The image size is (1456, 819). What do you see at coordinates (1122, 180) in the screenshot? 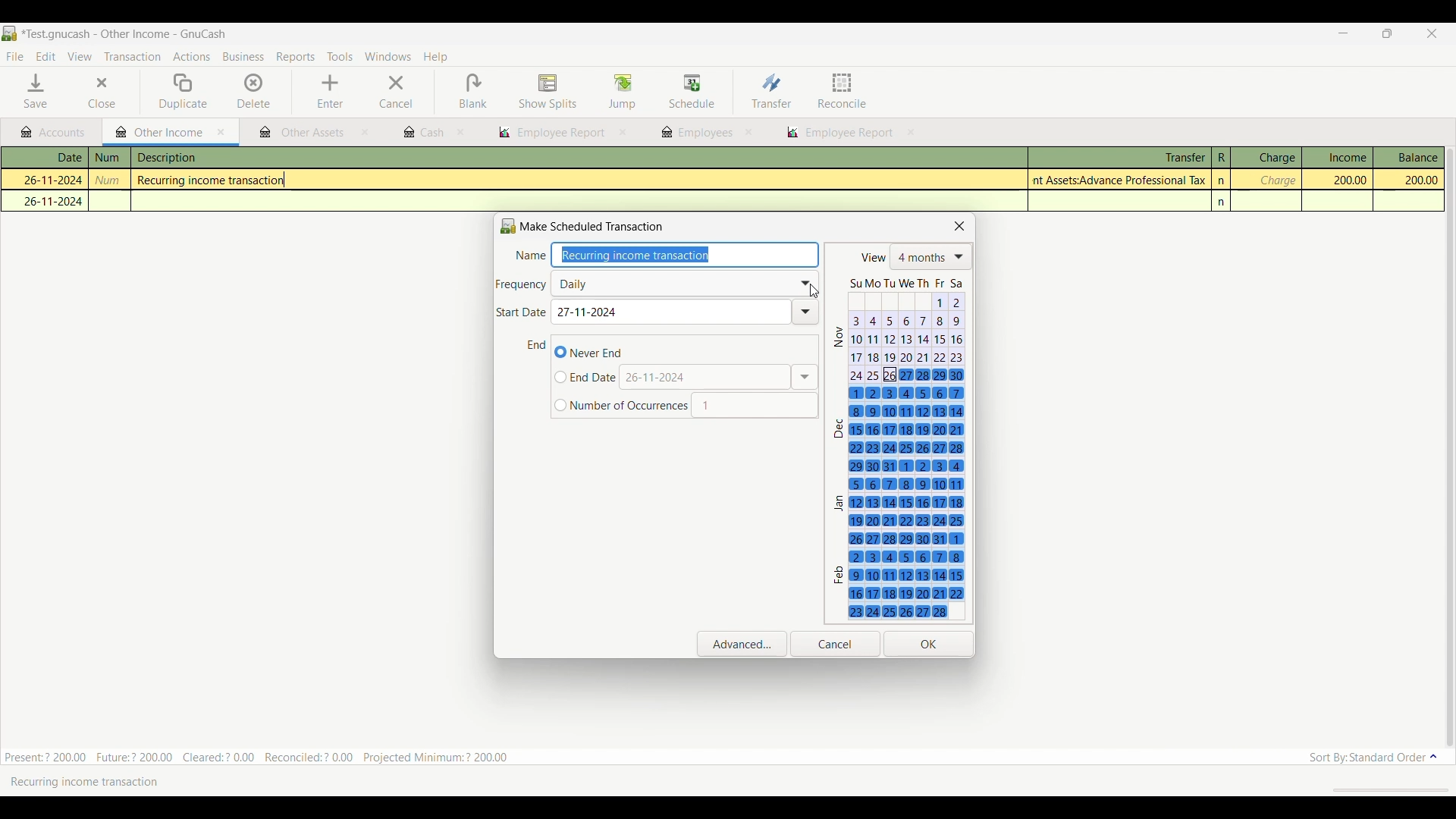
I see `Assets:Advance Professional Tax` at bounding box center [1122, 180].